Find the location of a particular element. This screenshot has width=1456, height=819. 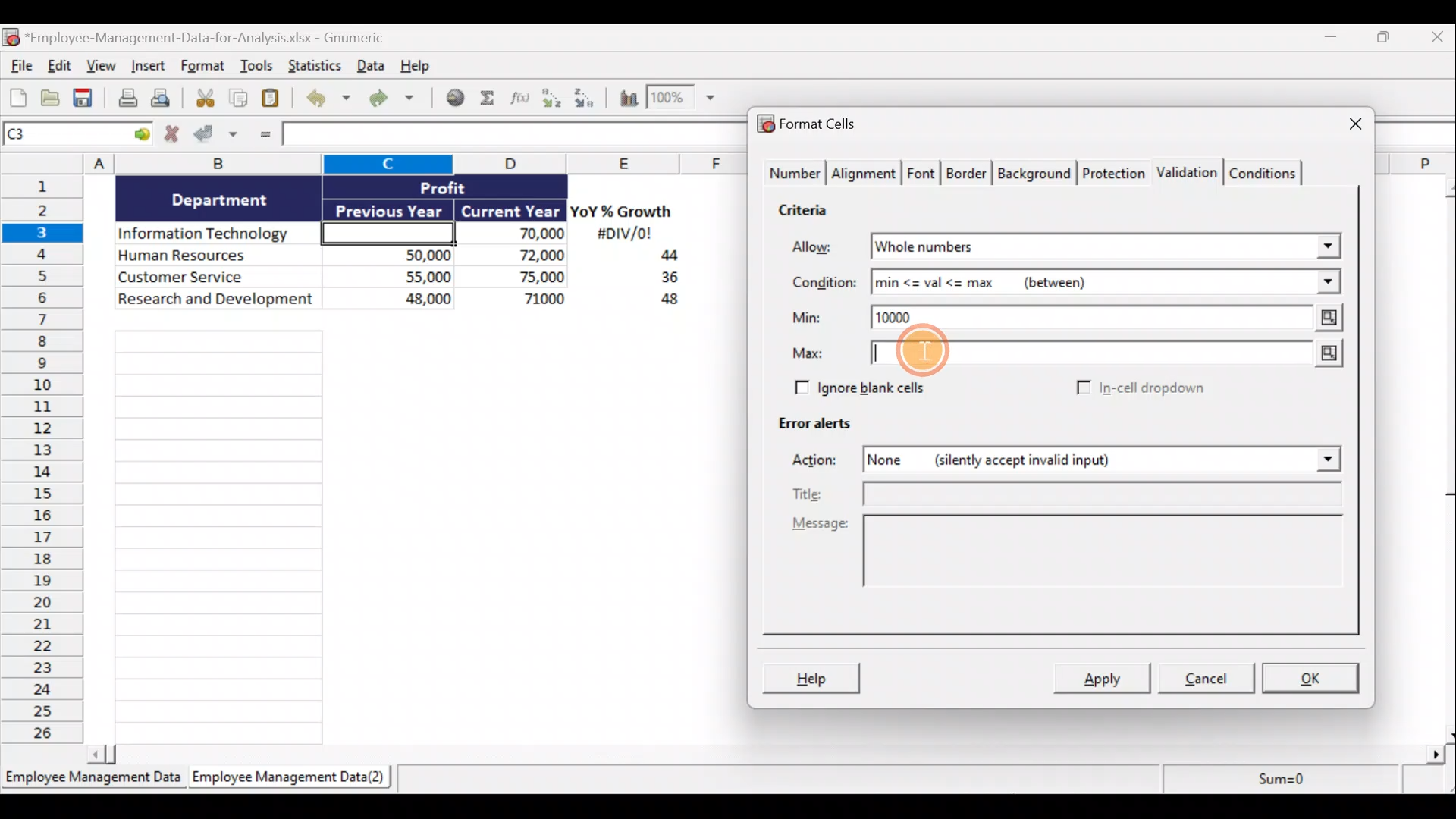

Title is located at coordinates (1072, 494).